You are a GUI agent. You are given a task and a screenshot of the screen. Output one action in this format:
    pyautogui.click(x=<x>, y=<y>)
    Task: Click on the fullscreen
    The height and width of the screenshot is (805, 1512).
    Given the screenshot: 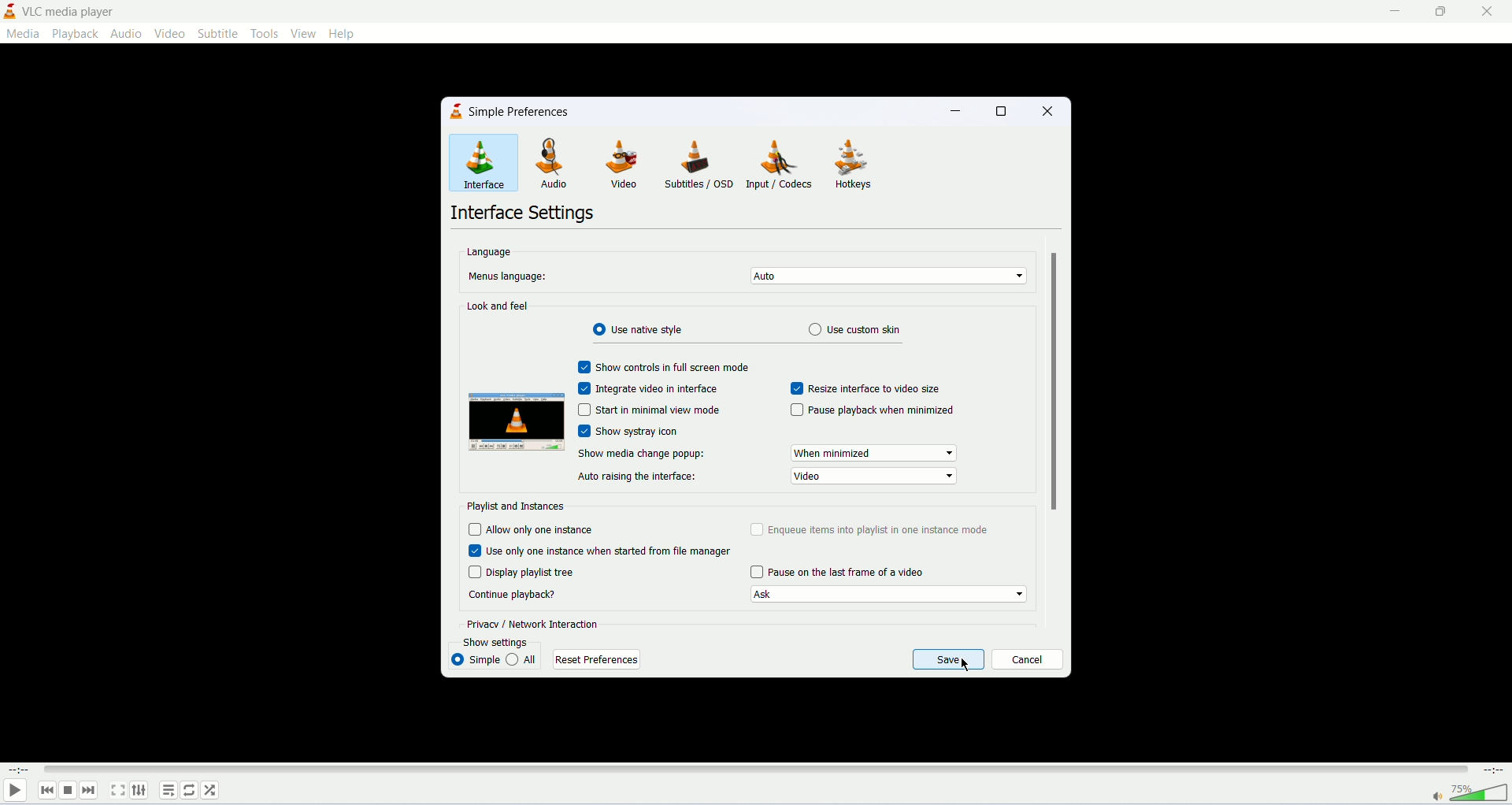 What is the action you would take?
    pyautogui.click(x=117, y=790)
    